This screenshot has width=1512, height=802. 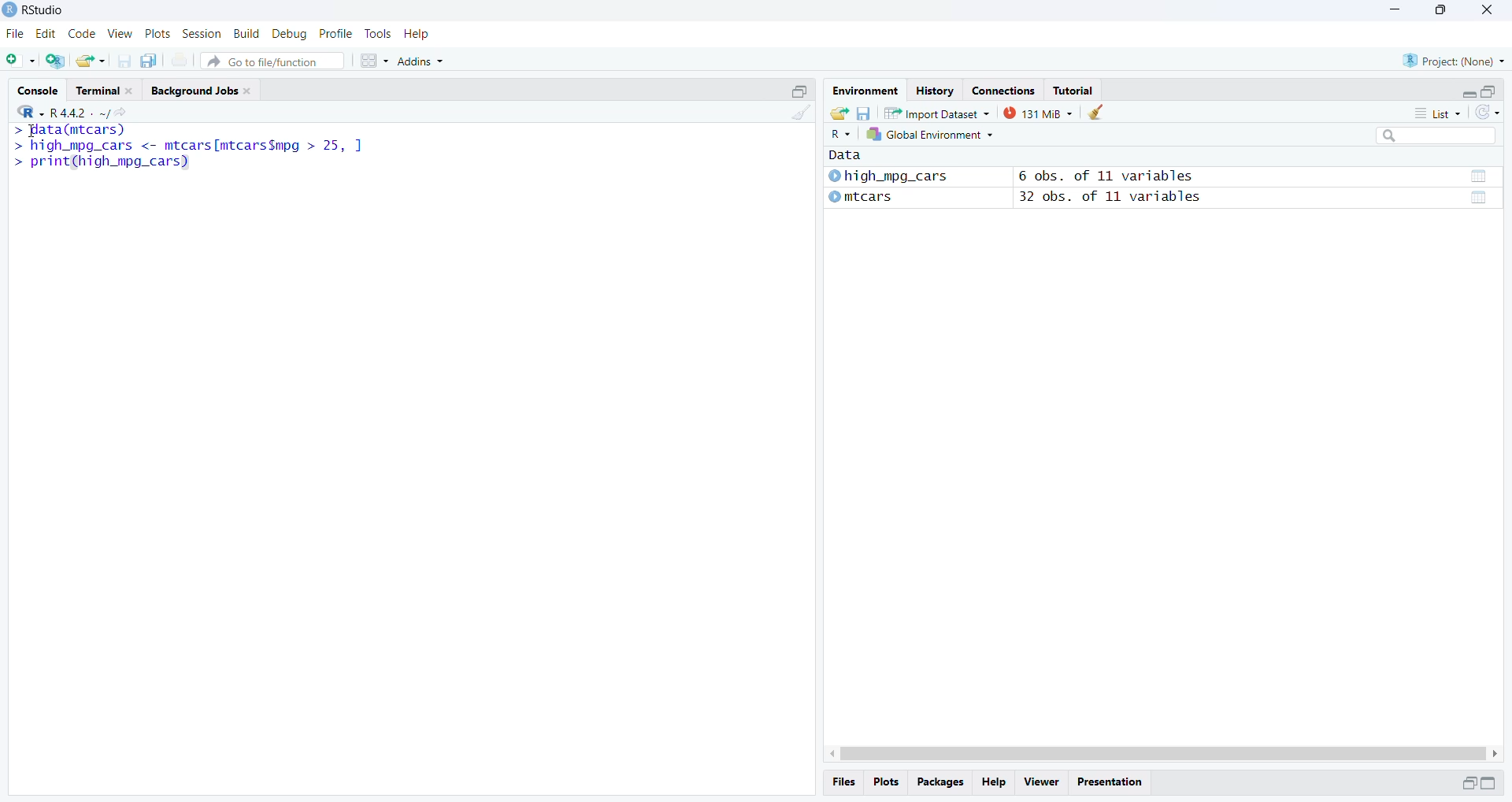 What do you see at coordinates (860, 197) in the screenshot?
I see `mtcars` at bounding box center [860, 197].